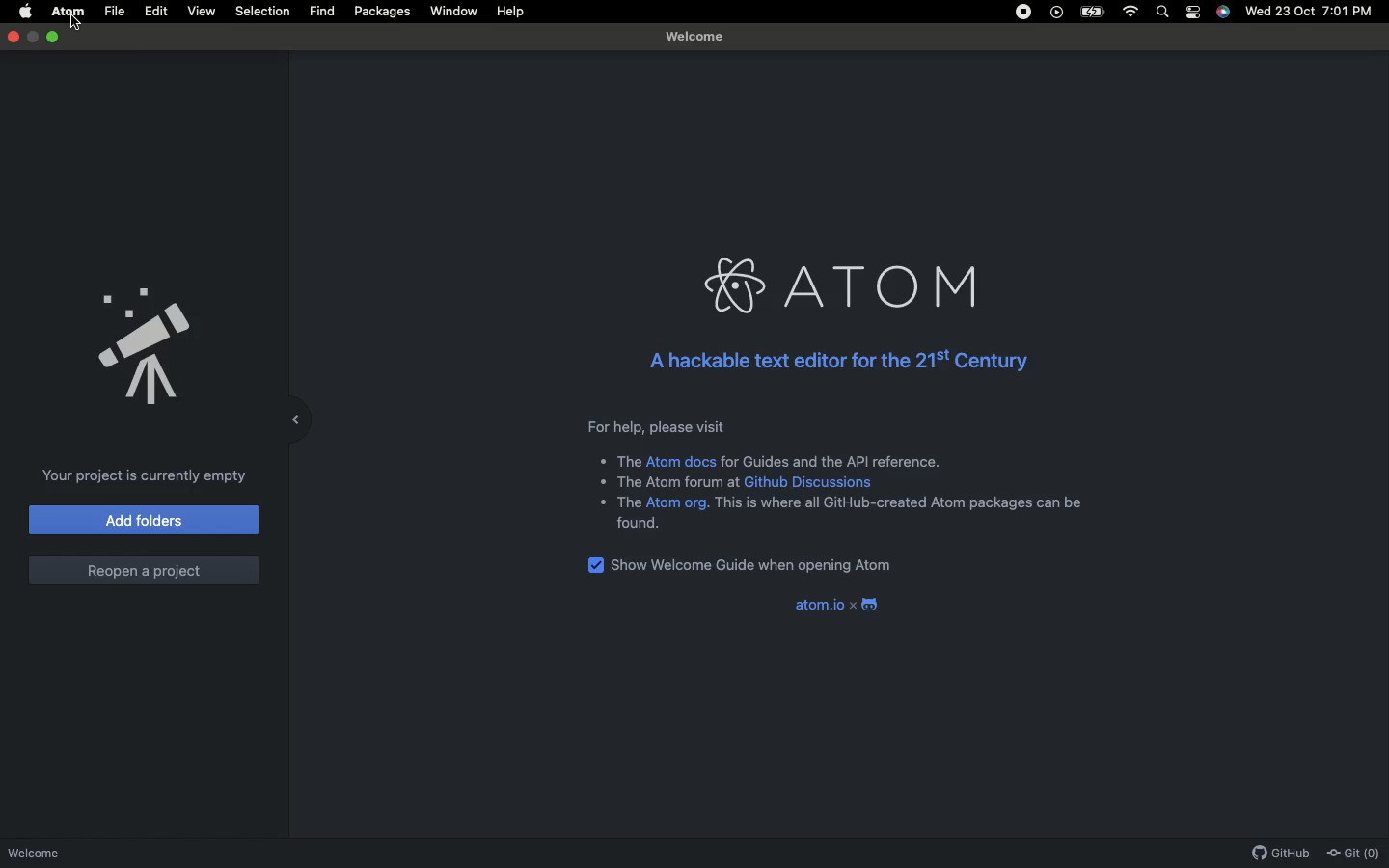 The width and height of the screenshot is (1389, 868). What do you see at coordinates (148, 348) in the screenshot?
I see `Emblem` at bounding box center [148, 348].